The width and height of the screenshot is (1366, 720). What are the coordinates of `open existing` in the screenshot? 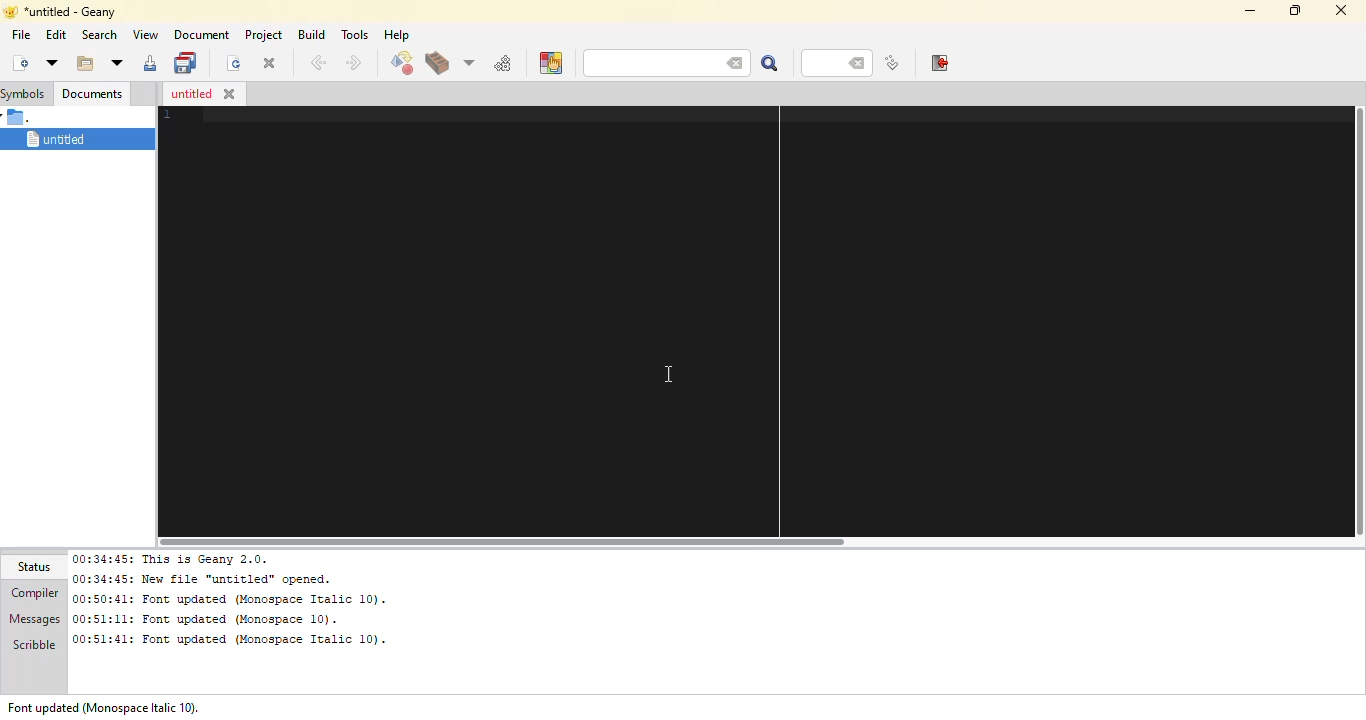 It's located at (83, 63).